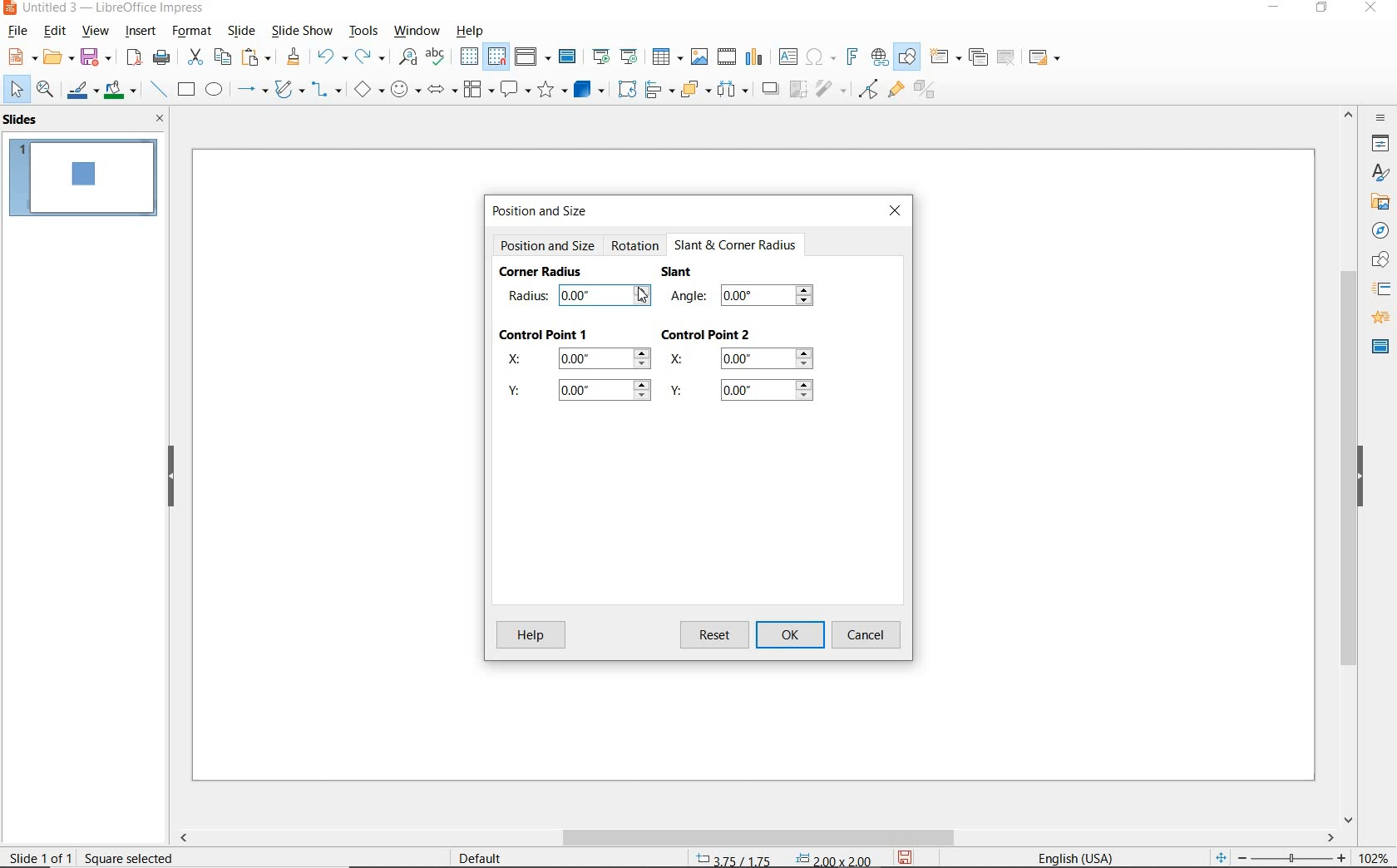 This screenshot has width=1397, height=868. I want to click on scrollbar, so click(758, 838).